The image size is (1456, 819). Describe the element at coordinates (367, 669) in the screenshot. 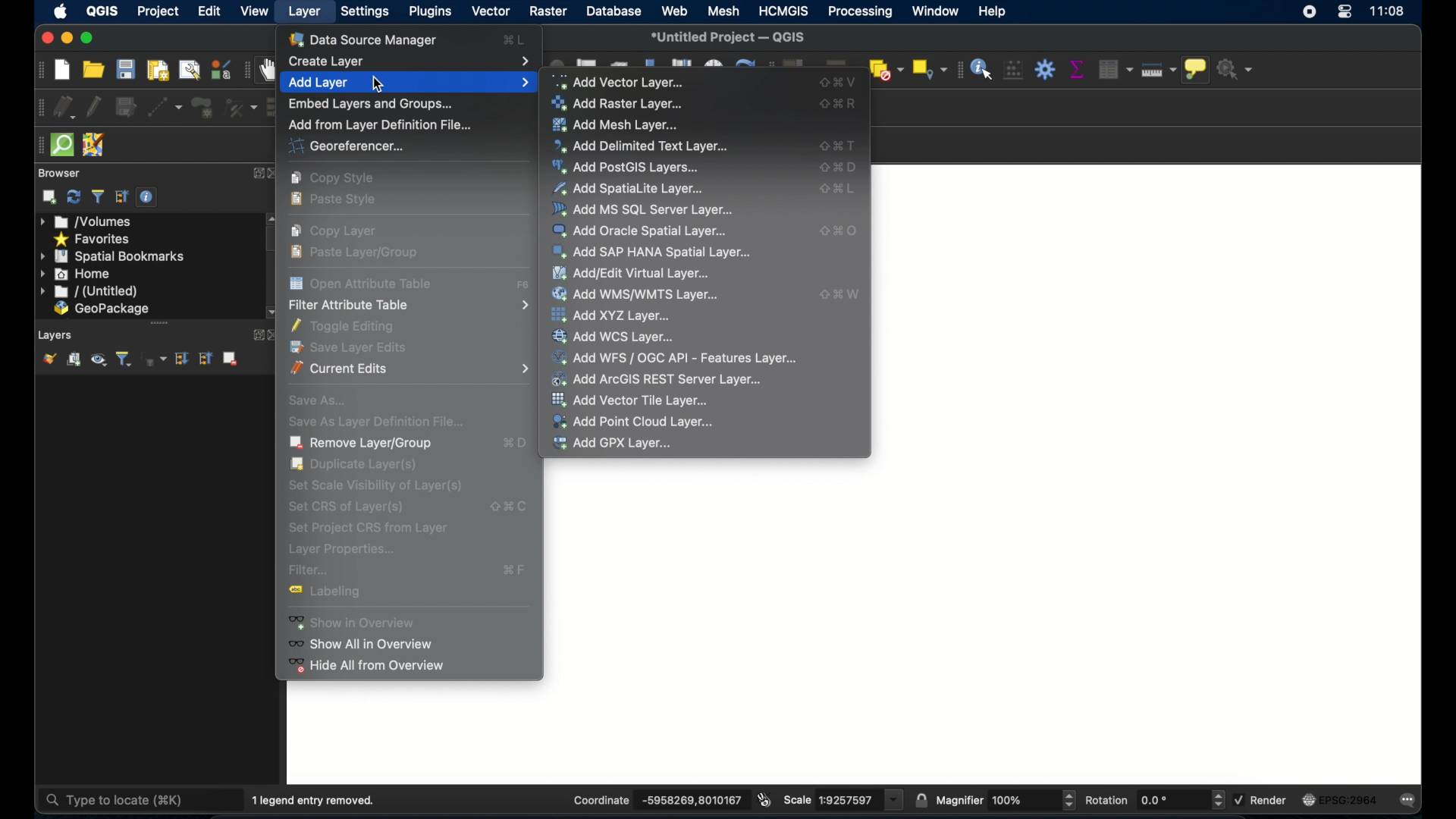

I see `hide all from overview` at that location.